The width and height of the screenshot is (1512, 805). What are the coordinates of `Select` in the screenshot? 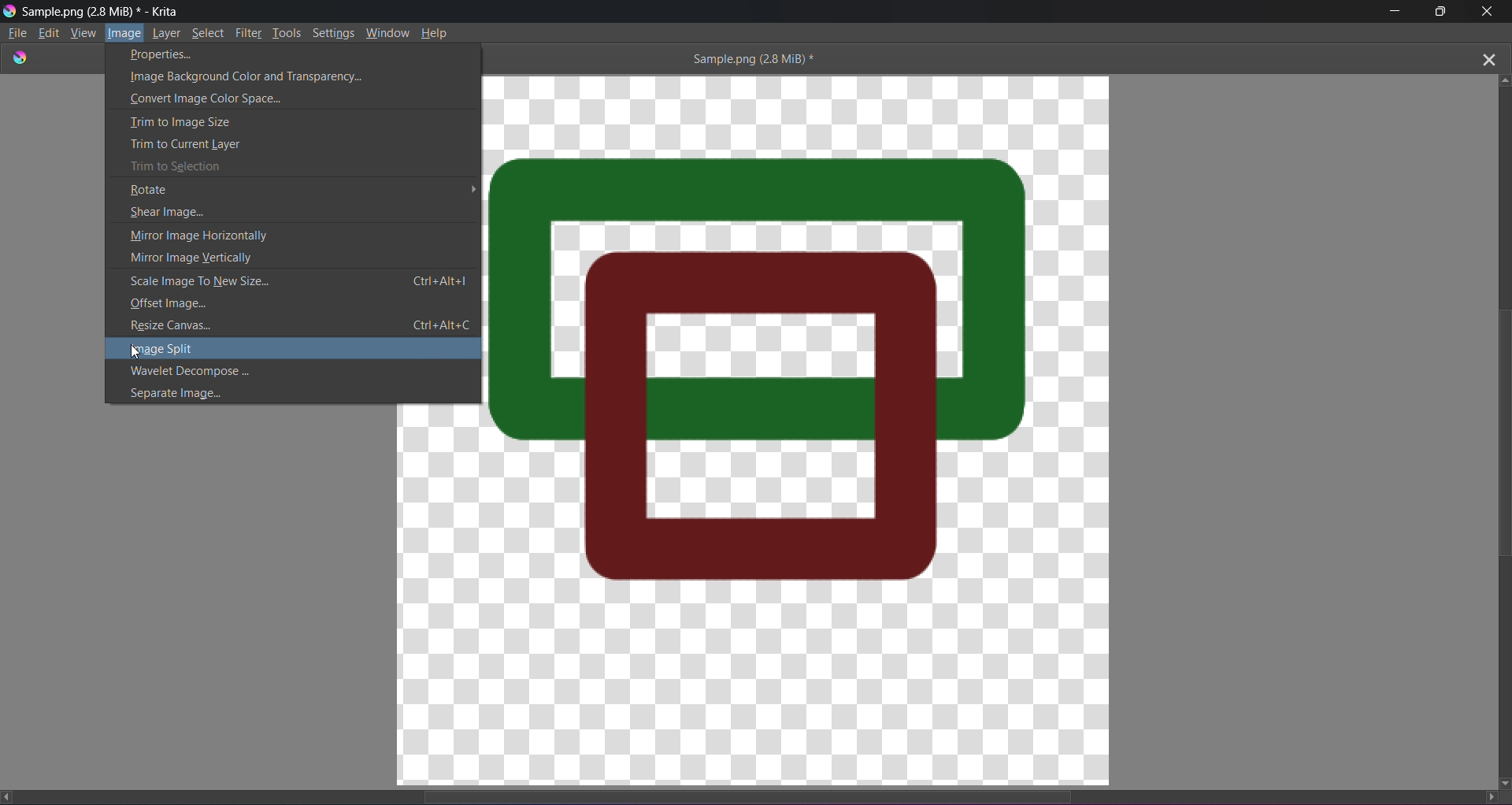 It's located at (211, 32).